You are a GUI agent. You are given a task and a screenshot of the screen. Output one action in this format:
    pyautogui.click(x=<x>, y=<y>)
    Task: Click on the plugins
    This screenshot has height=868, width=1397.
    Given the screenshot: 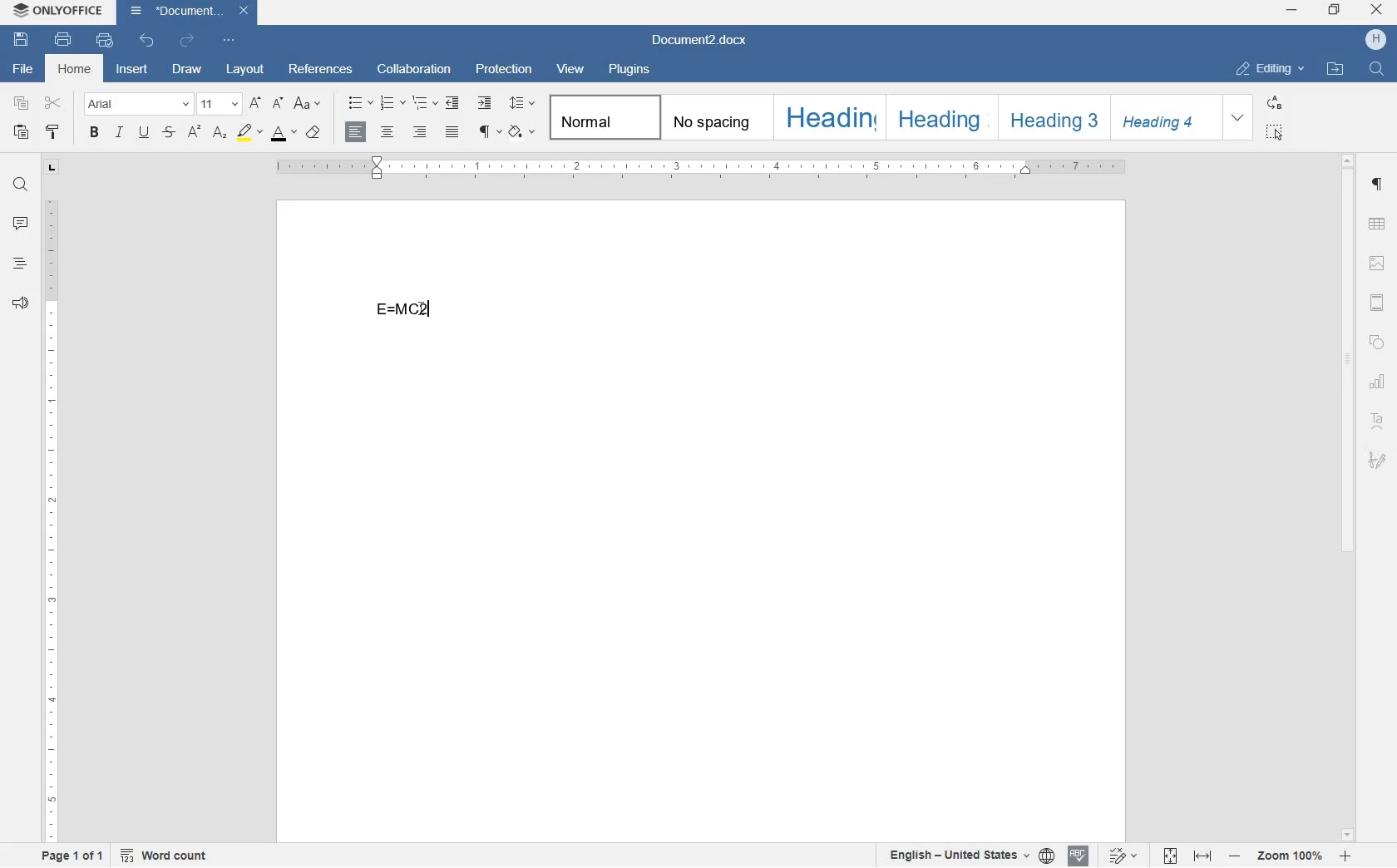 What is the action you would take?
    pyautogui.click(x=633, y=70)
    